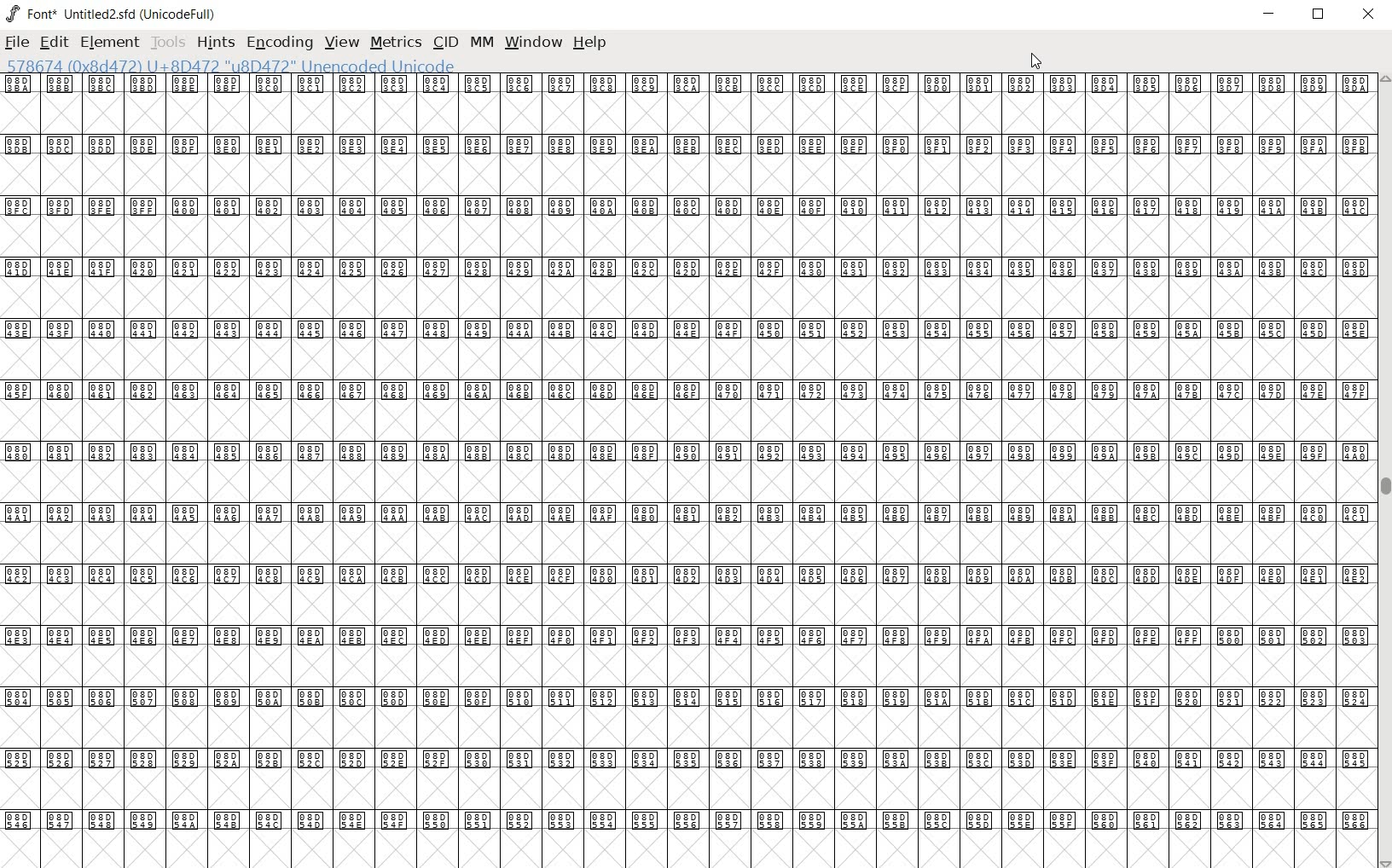 This screenshot has height=868, width=1392. Describe the element at coordinates (281, 43) in the screenshot. I see `encoding` at that location.